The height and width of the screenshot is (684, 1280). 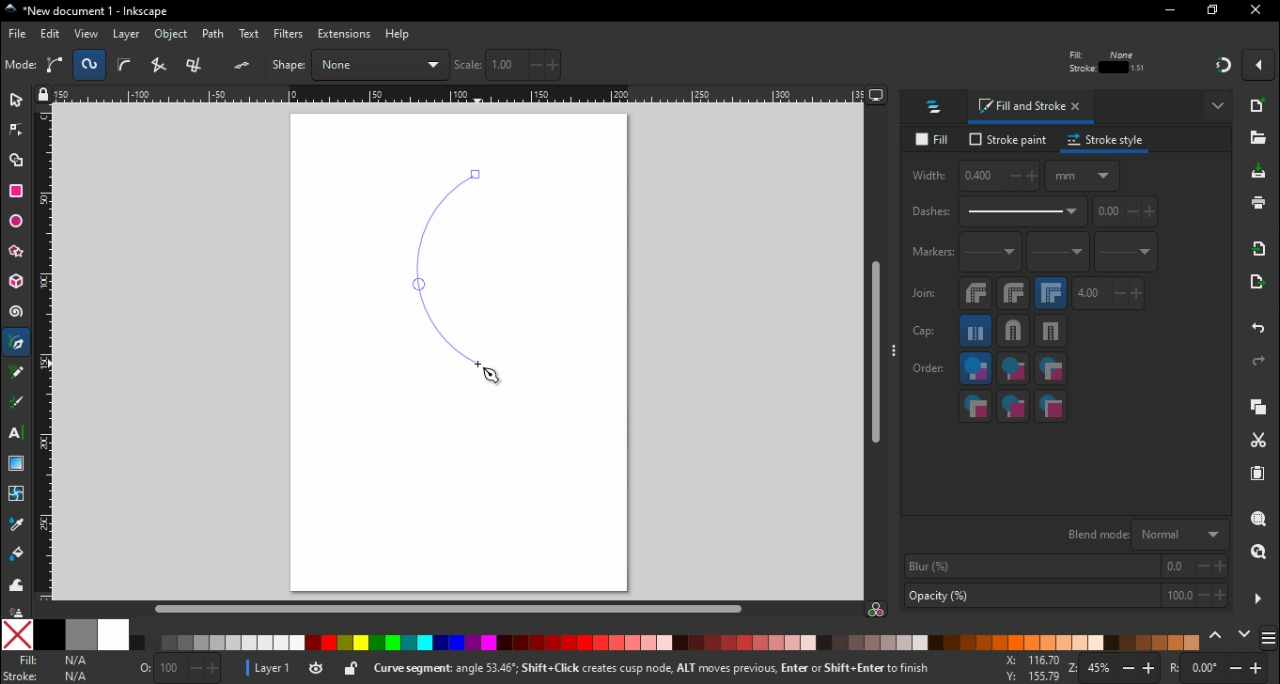 What do you see at coordinates (878, 610) in the screenshot?
I see `color manager mode` at bounding box center [878, 610].